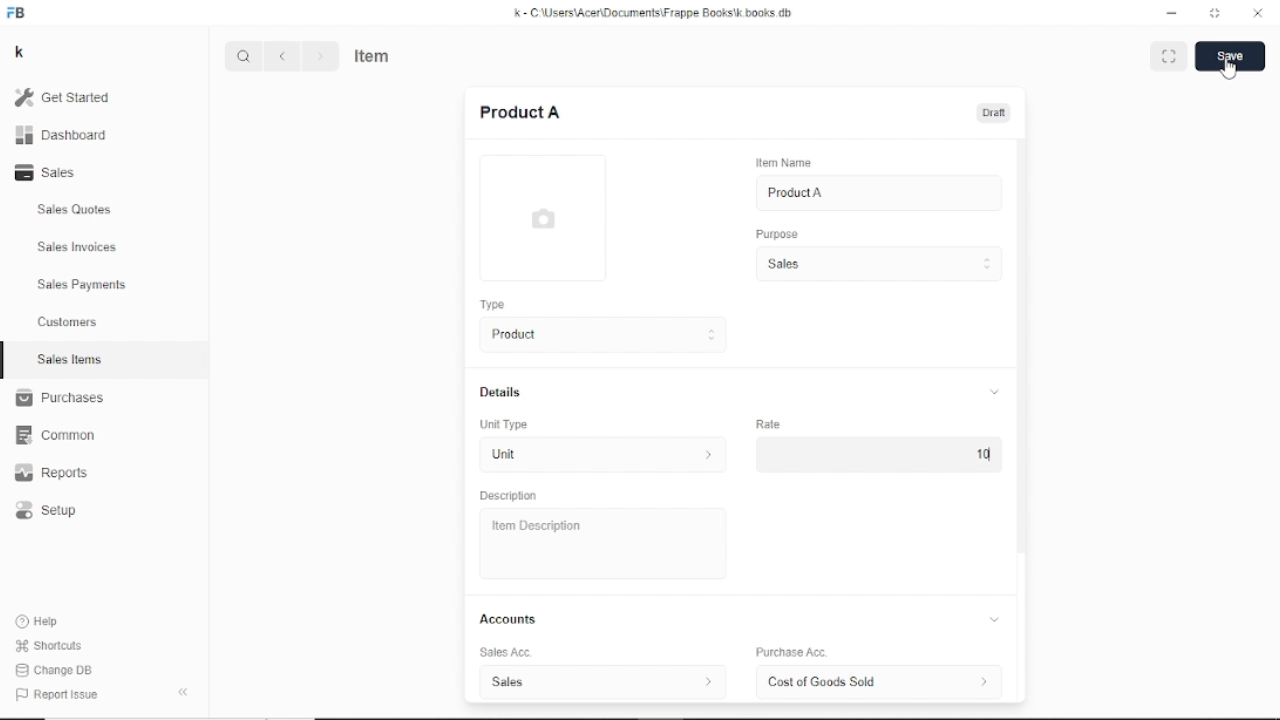 Image resolution: width=1280 pixels, height=720 pixels. Describe the element at coordinates (55, 436) in the screenshot. I see `Common` at that location.